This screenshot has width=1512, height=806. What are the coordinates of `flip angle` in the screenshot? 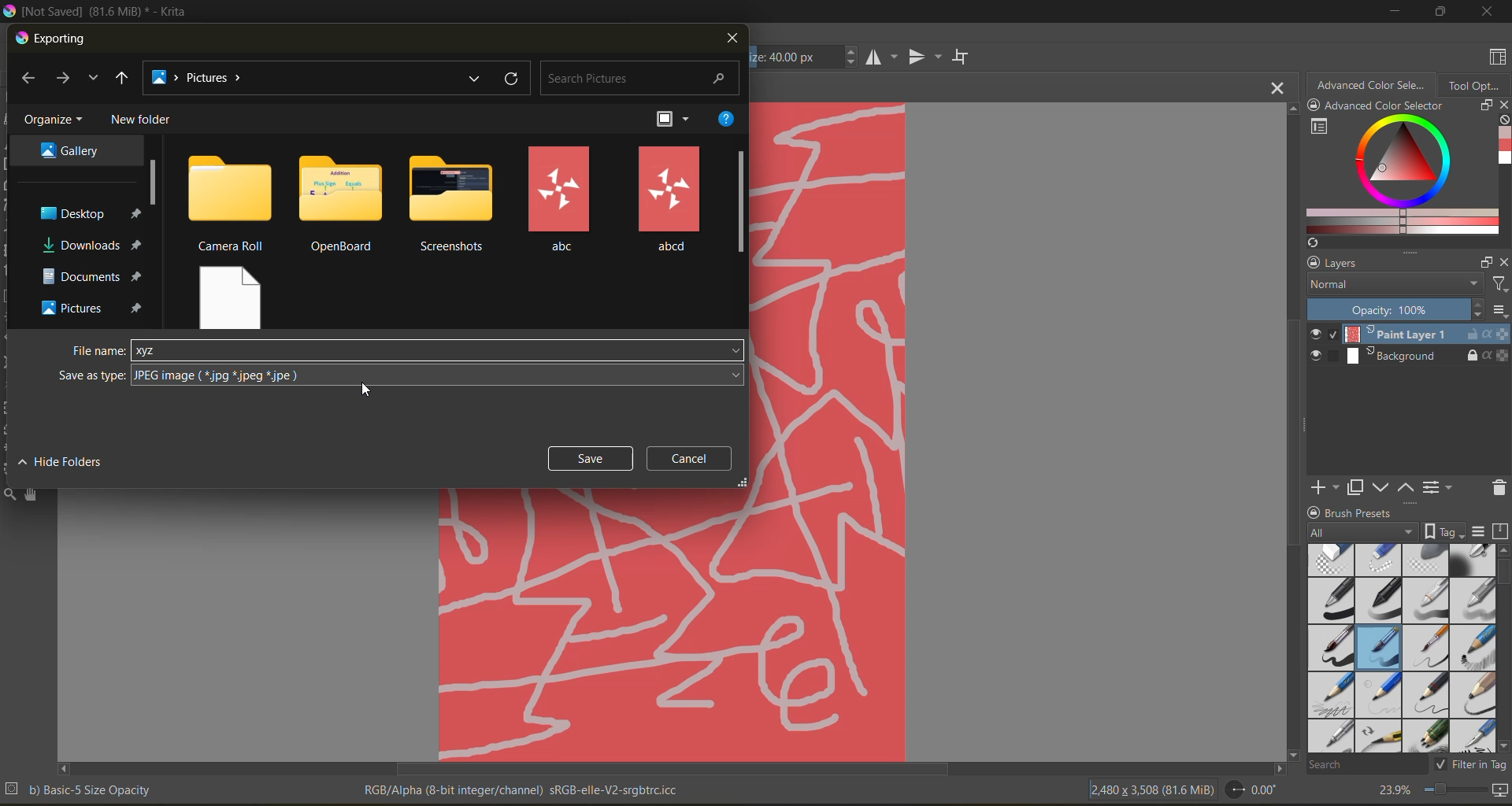 It's located at (1251, 789).